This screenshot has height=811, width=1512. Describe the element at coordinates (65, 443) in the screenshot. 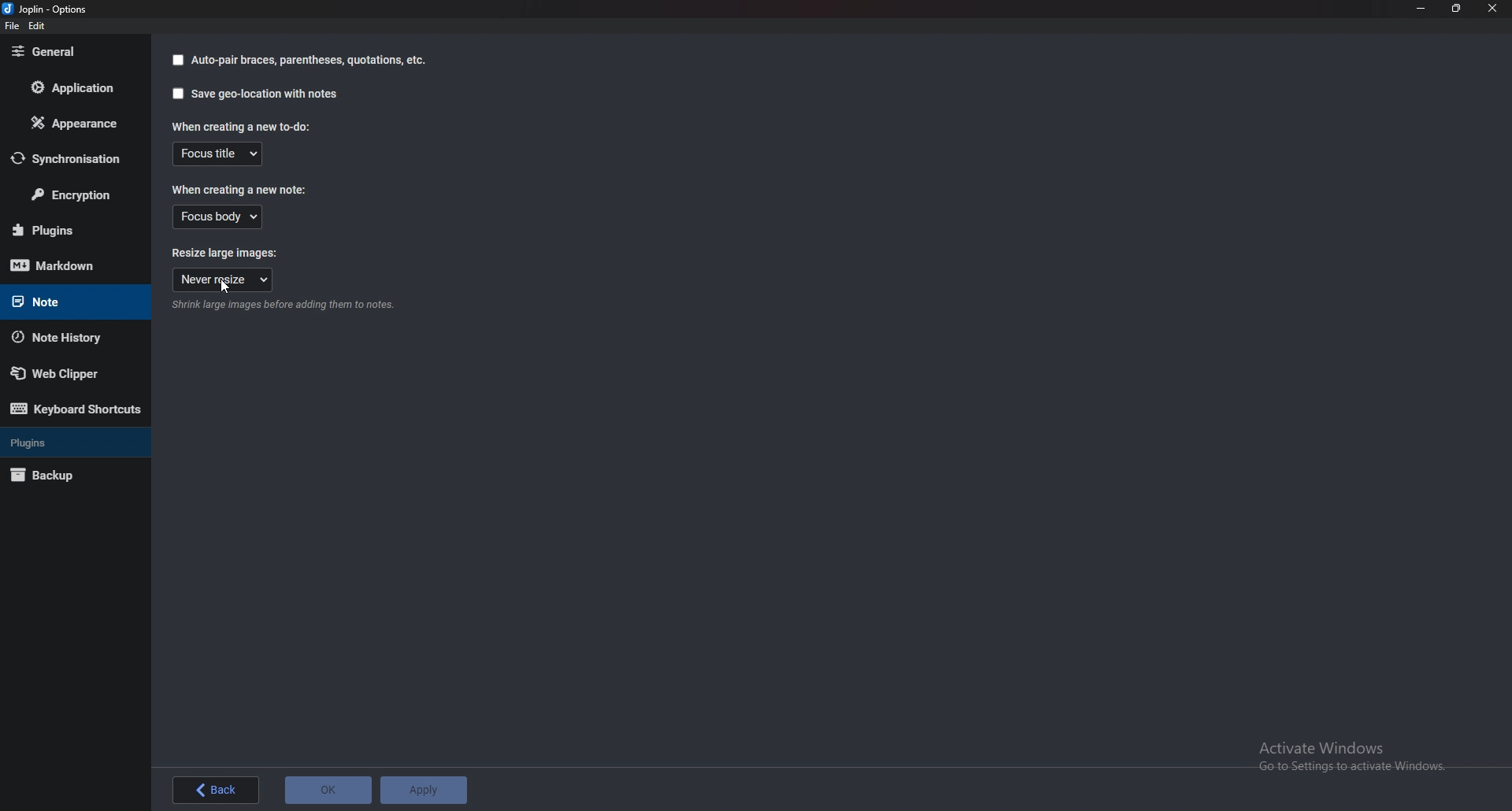

I see `plugins` at that location.